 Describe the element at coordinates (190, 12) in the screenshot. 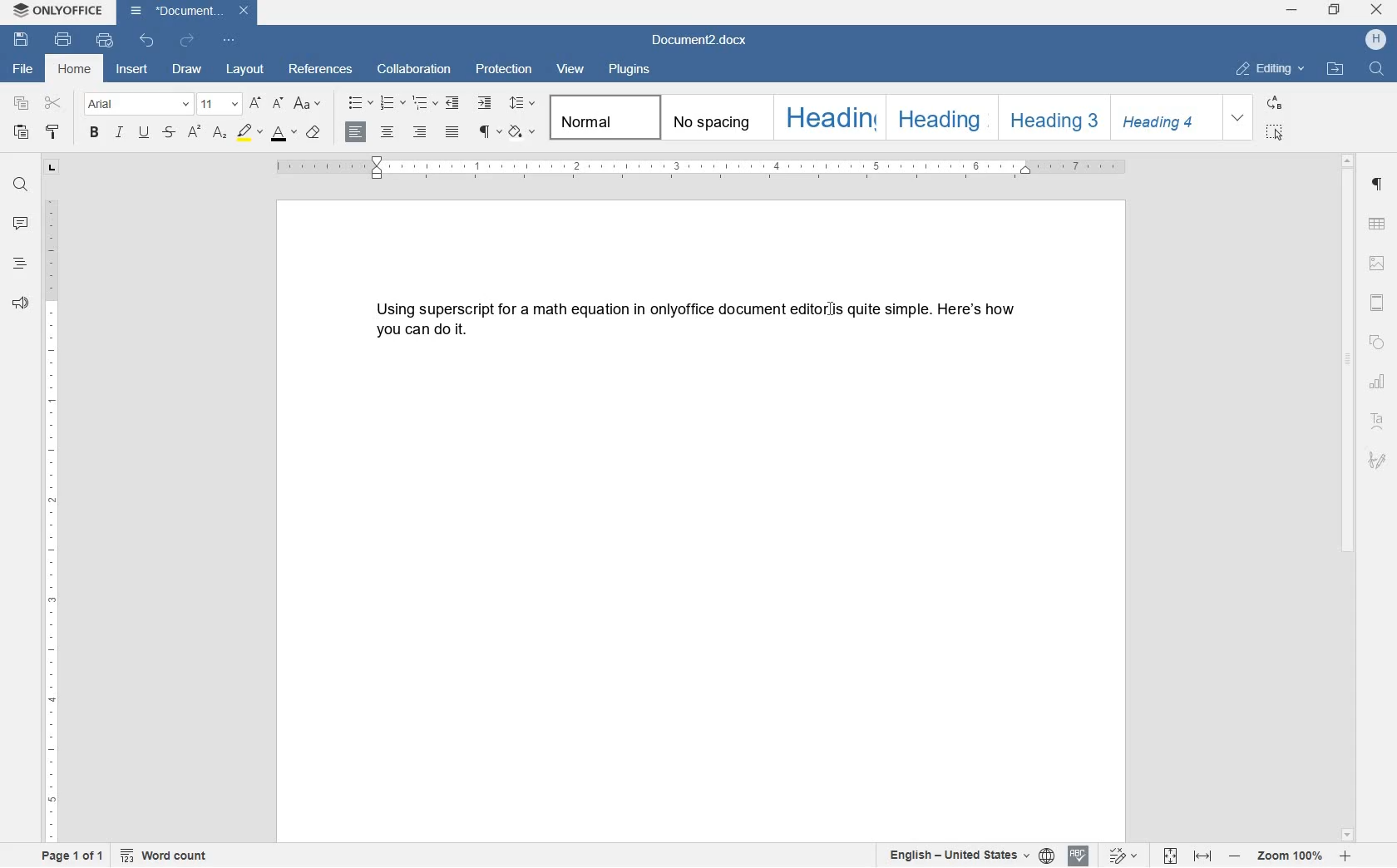

I see `Document2.docx` at that location.